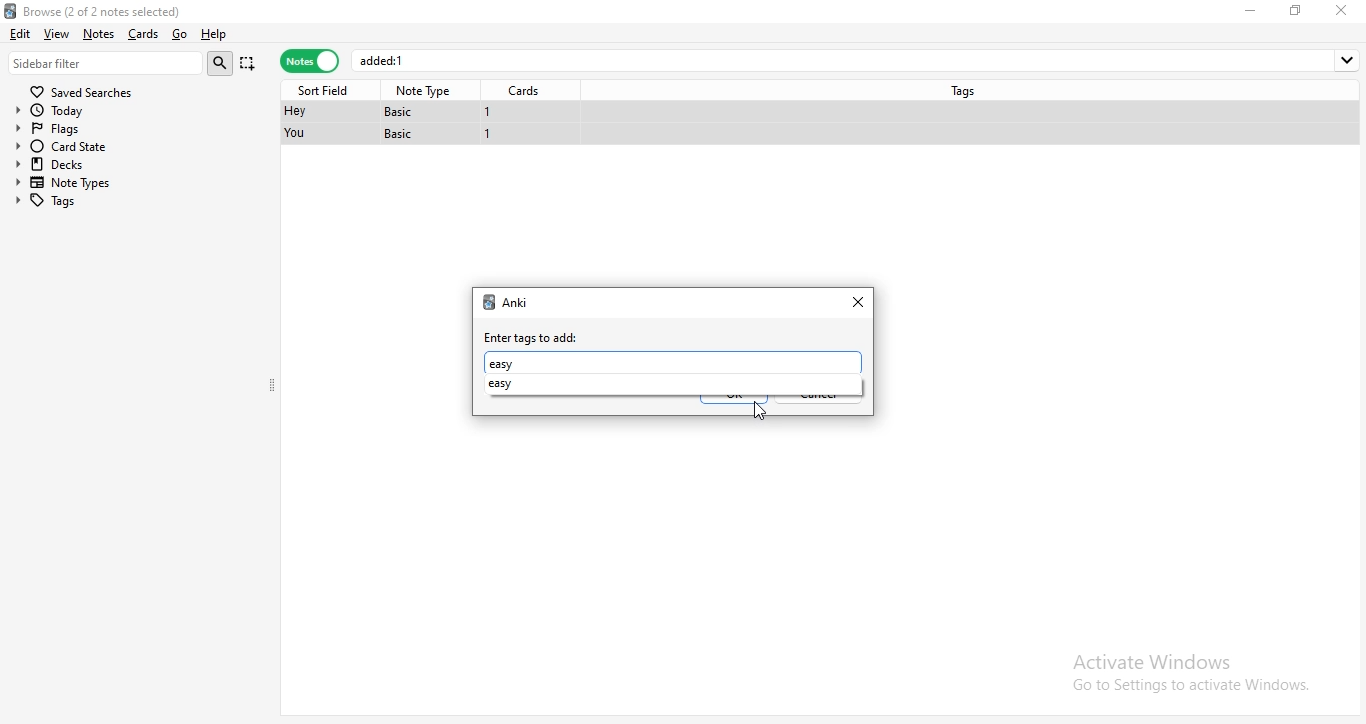 This screenshot has width=1366, height=724. Describe the element at coordinates (1345, 10) in the screenshot. I see `close` at that location.